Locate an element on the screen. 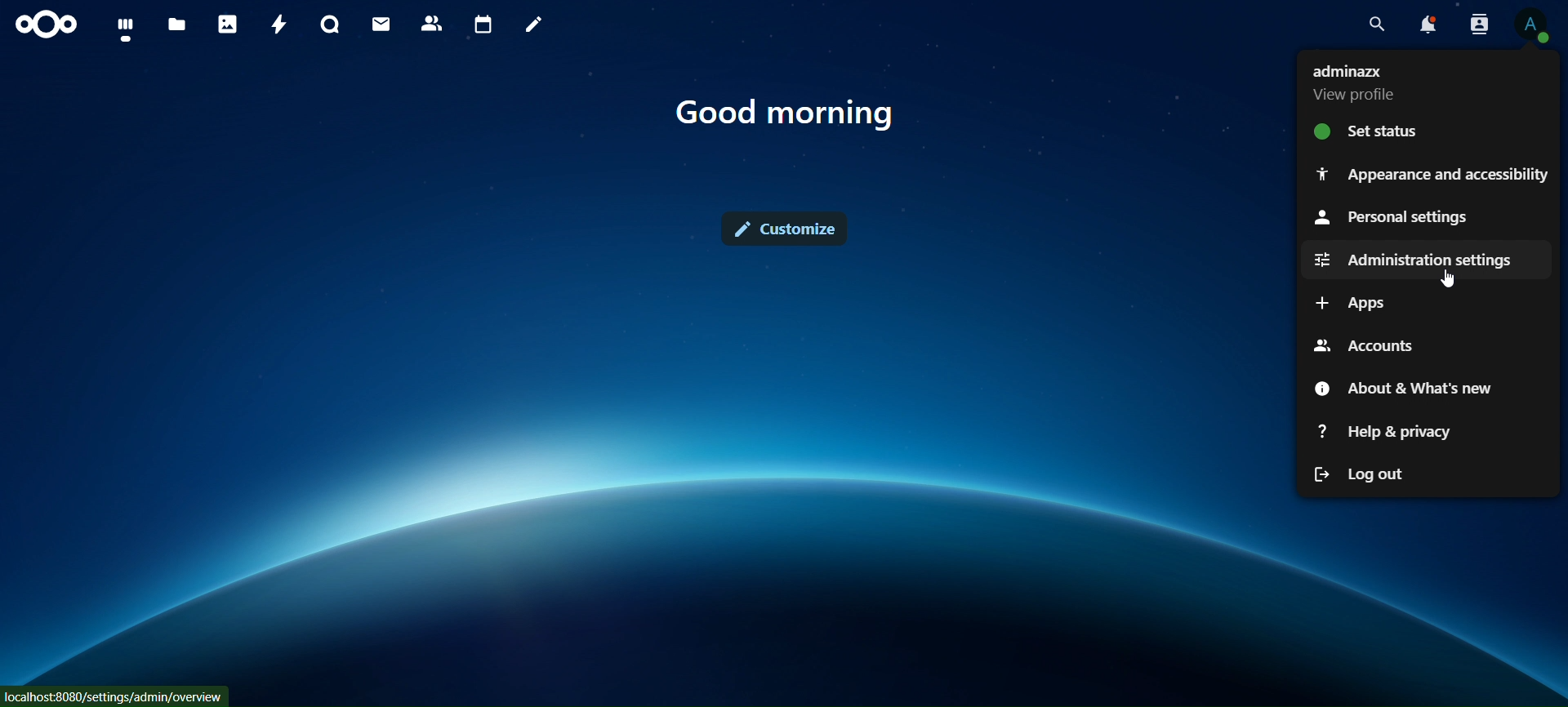  notes is located at coordinates (537, 26).